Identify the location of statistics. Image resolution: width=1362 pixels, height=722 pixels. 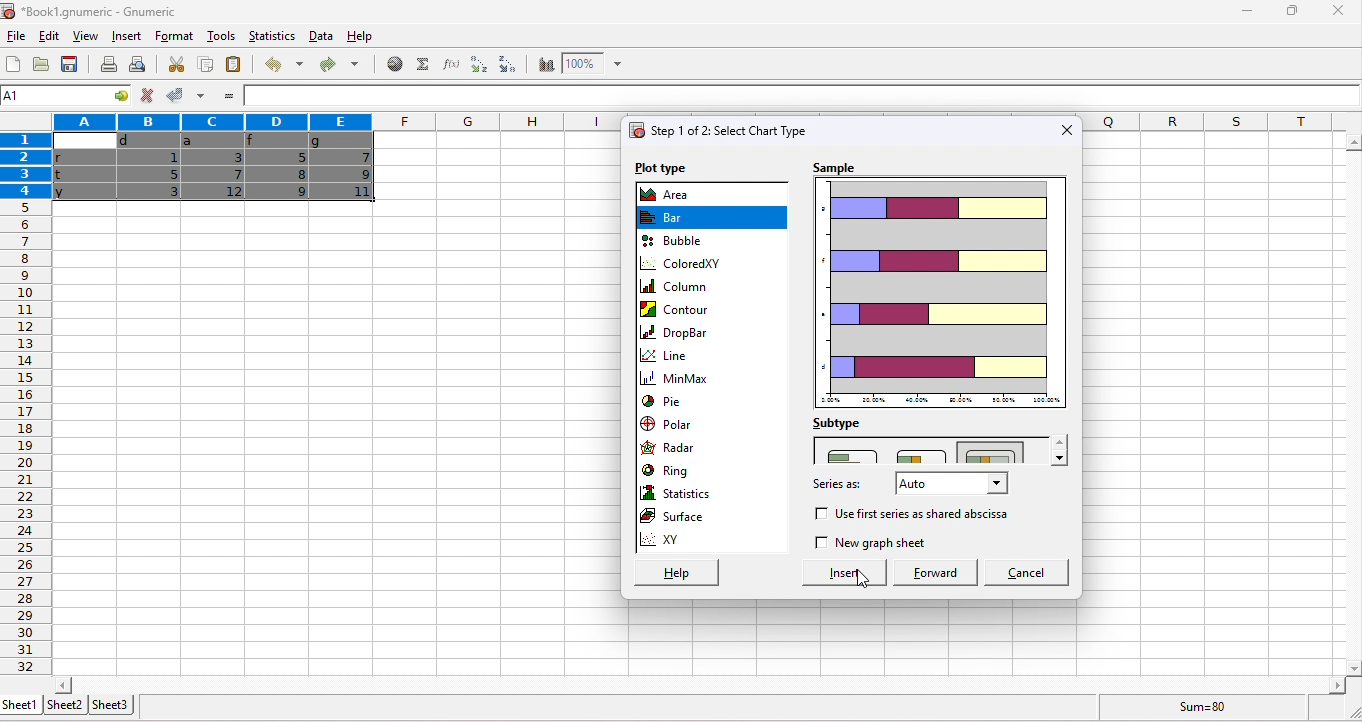
(272, 35).